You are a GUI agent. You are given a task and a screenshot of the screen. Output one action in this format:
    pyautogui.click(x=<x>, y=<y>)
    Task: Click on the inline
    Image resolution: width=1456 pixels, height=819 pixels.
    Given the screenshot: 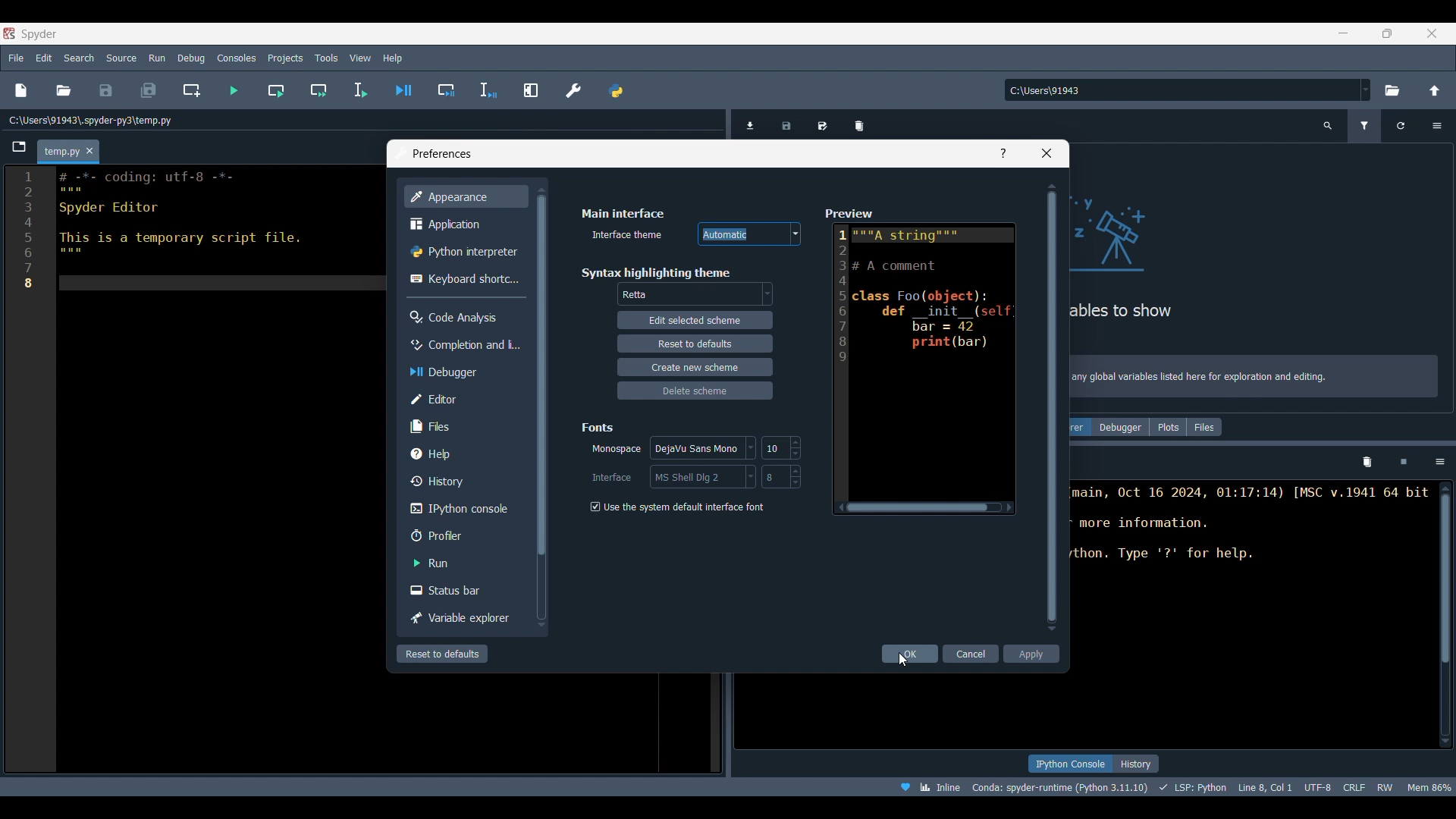 What is the action you would take?
    pyautogui.click(x=925, y=786)
    